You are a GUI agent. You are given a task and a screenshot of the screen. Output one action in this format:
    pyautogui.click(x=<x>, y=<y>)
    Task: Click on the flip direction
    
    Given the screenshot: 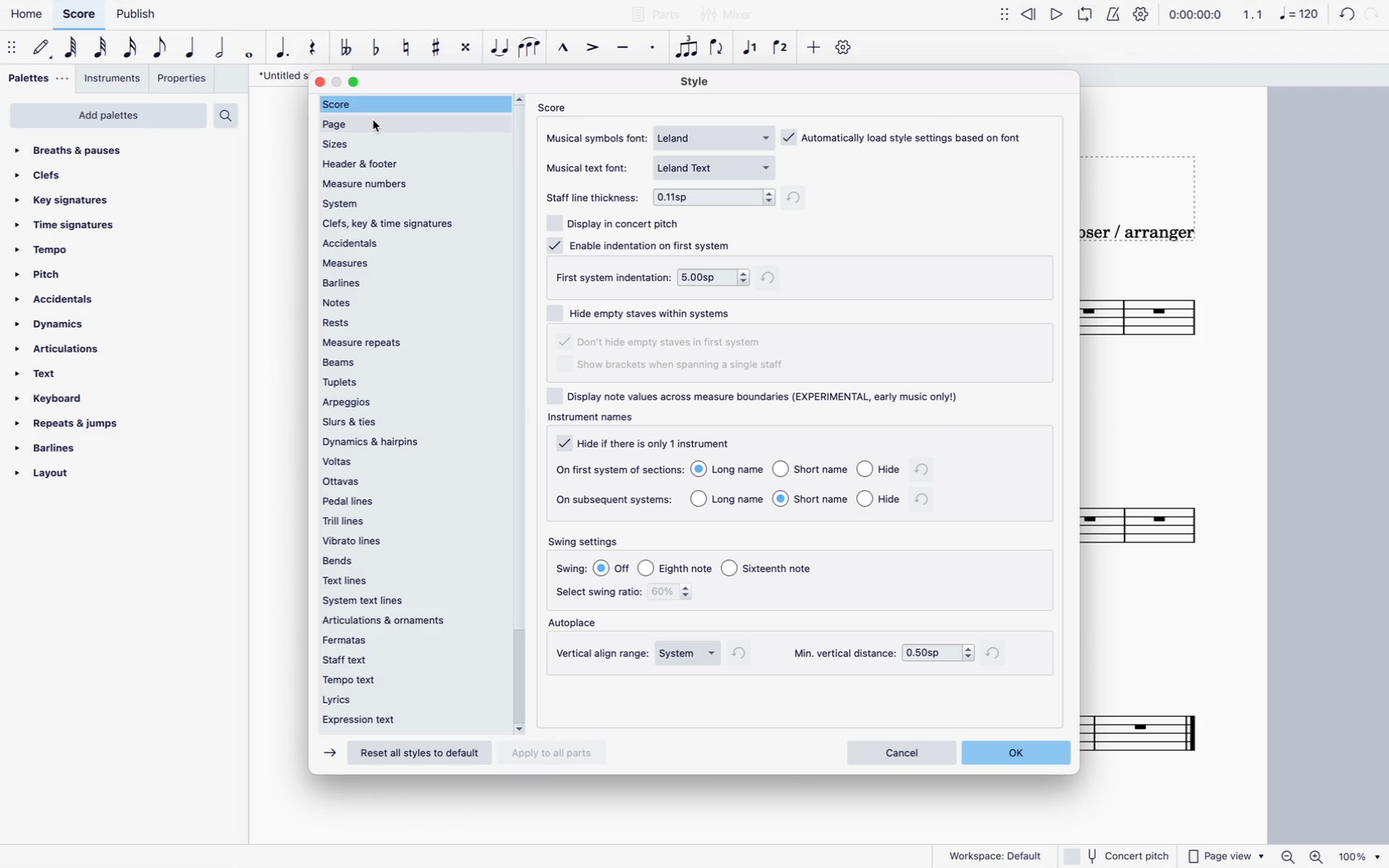 What is the action you would take?
    pyautogui.click(x=718, y=52)
    